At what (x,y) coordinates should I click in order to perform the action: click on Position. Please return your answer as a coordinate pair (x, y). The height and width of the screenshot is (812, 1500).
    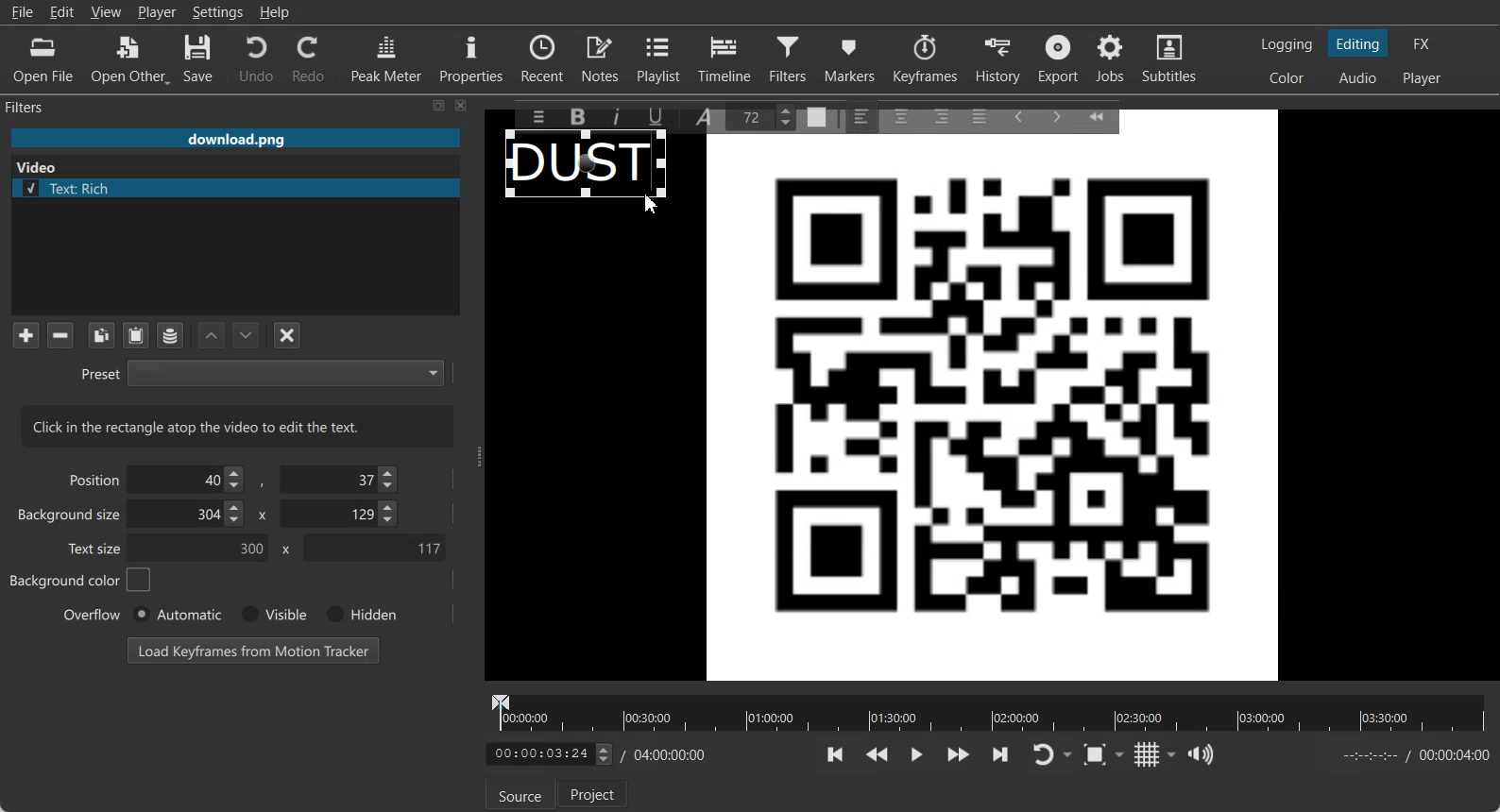
    Looking at the image, I should click on (91, 479).